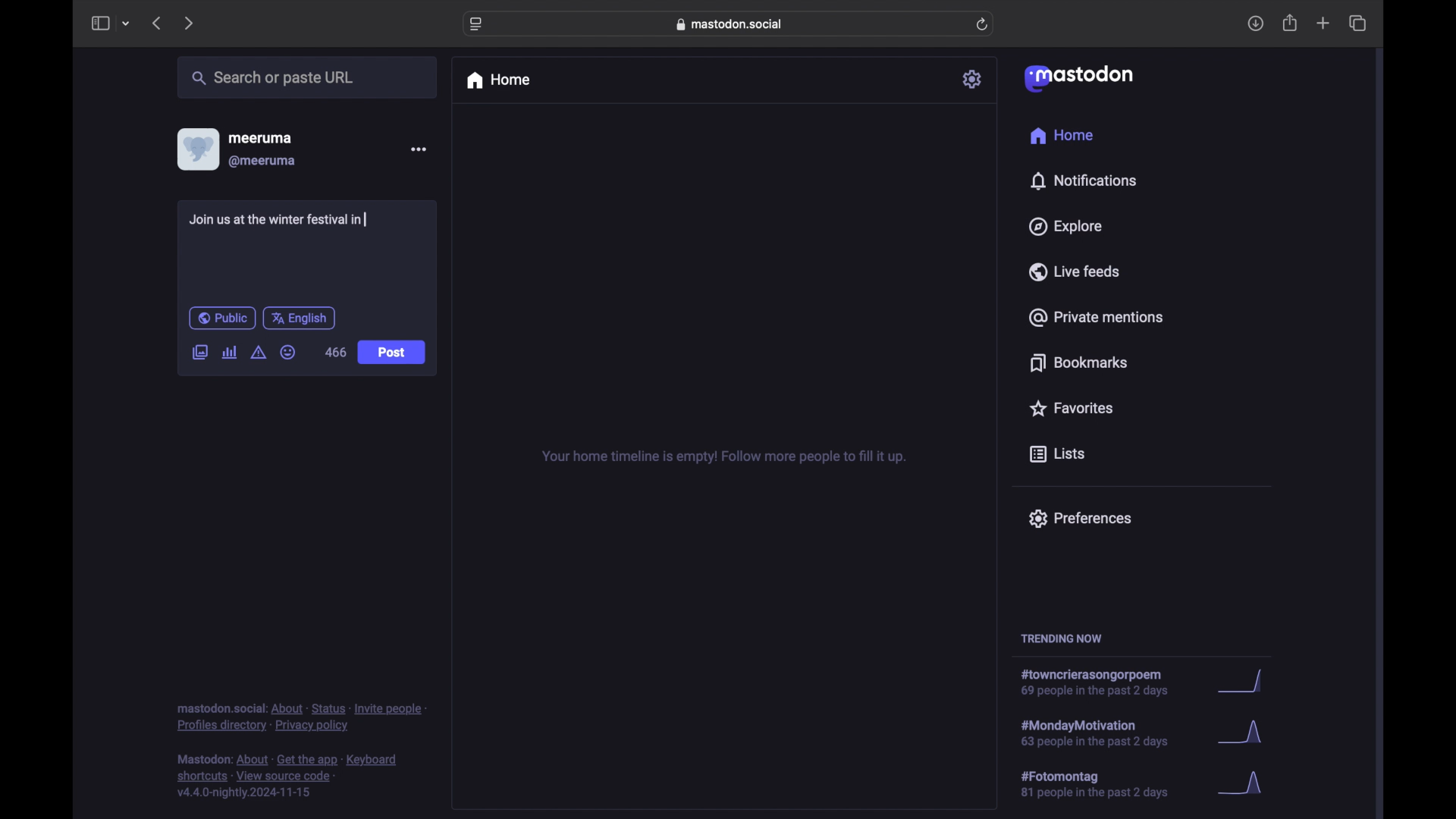  I want to click on sidebar, so click(99, 23).